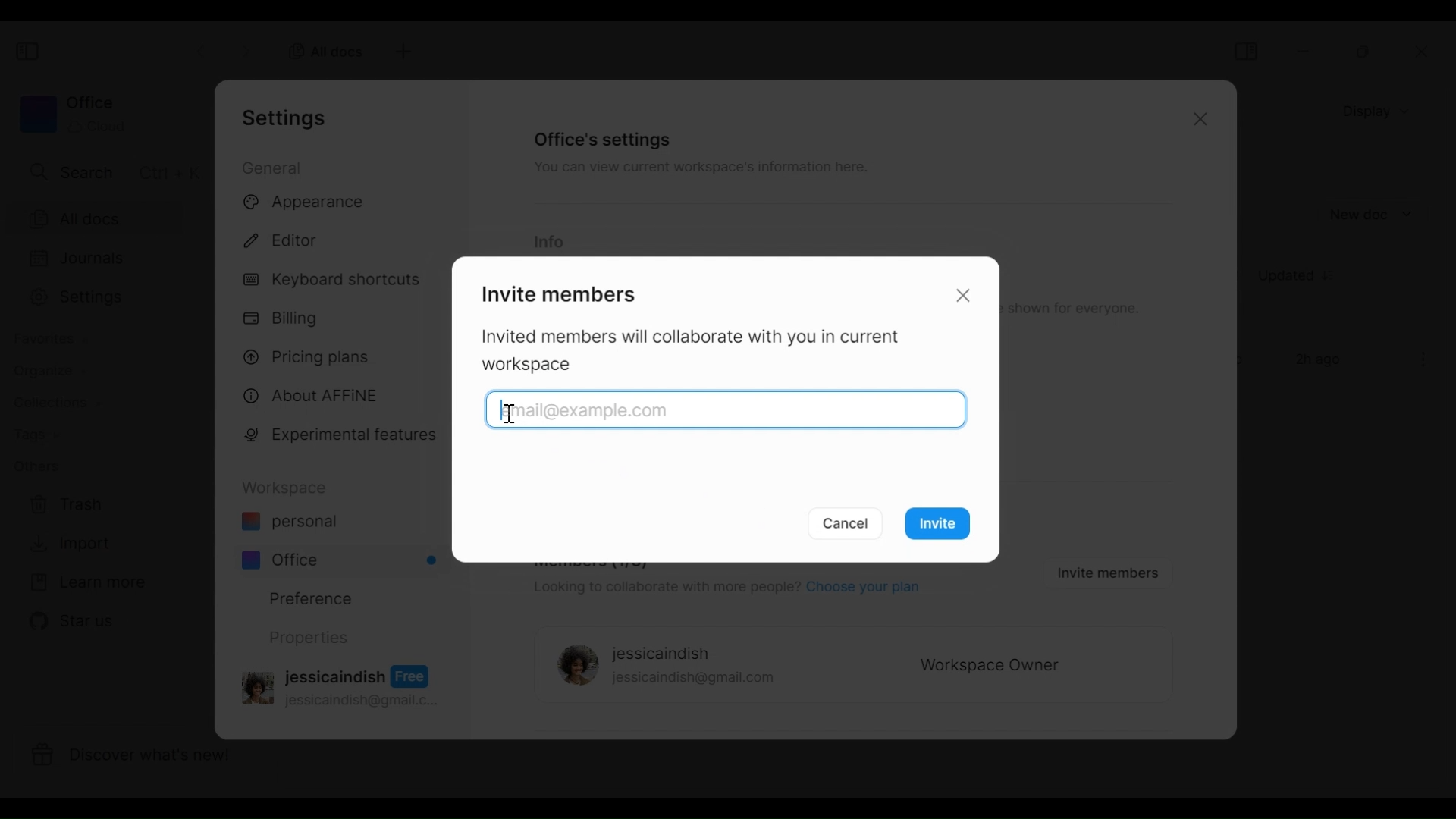 The height and width of the screenshot is (819, 1456). Describe the element at coordinates (510, 410) in the screenshot. I see `Member"s Email address` at that location.